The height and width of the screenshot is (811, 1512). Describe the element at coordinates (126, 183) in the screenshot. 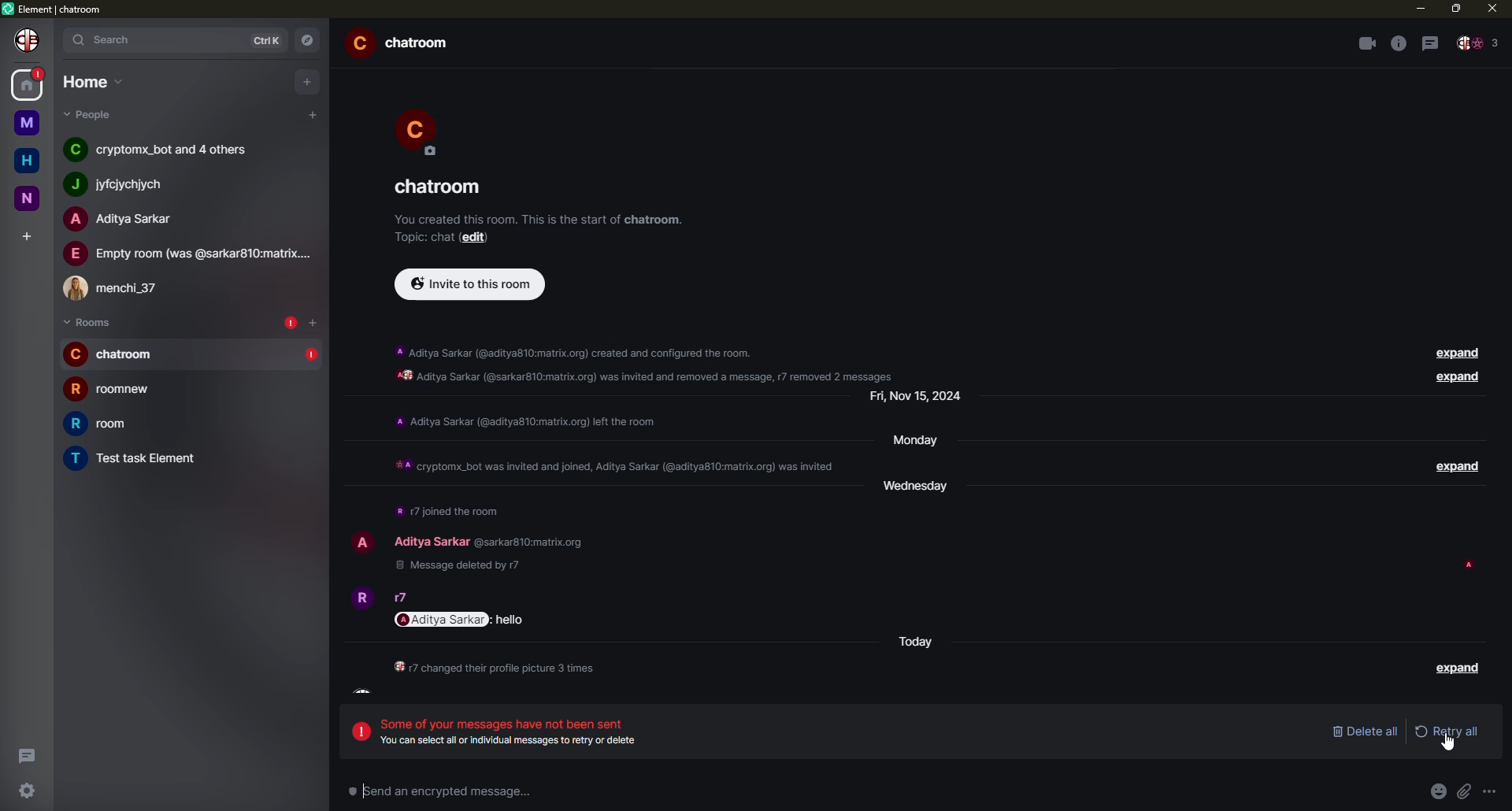

I see `people` at that location.